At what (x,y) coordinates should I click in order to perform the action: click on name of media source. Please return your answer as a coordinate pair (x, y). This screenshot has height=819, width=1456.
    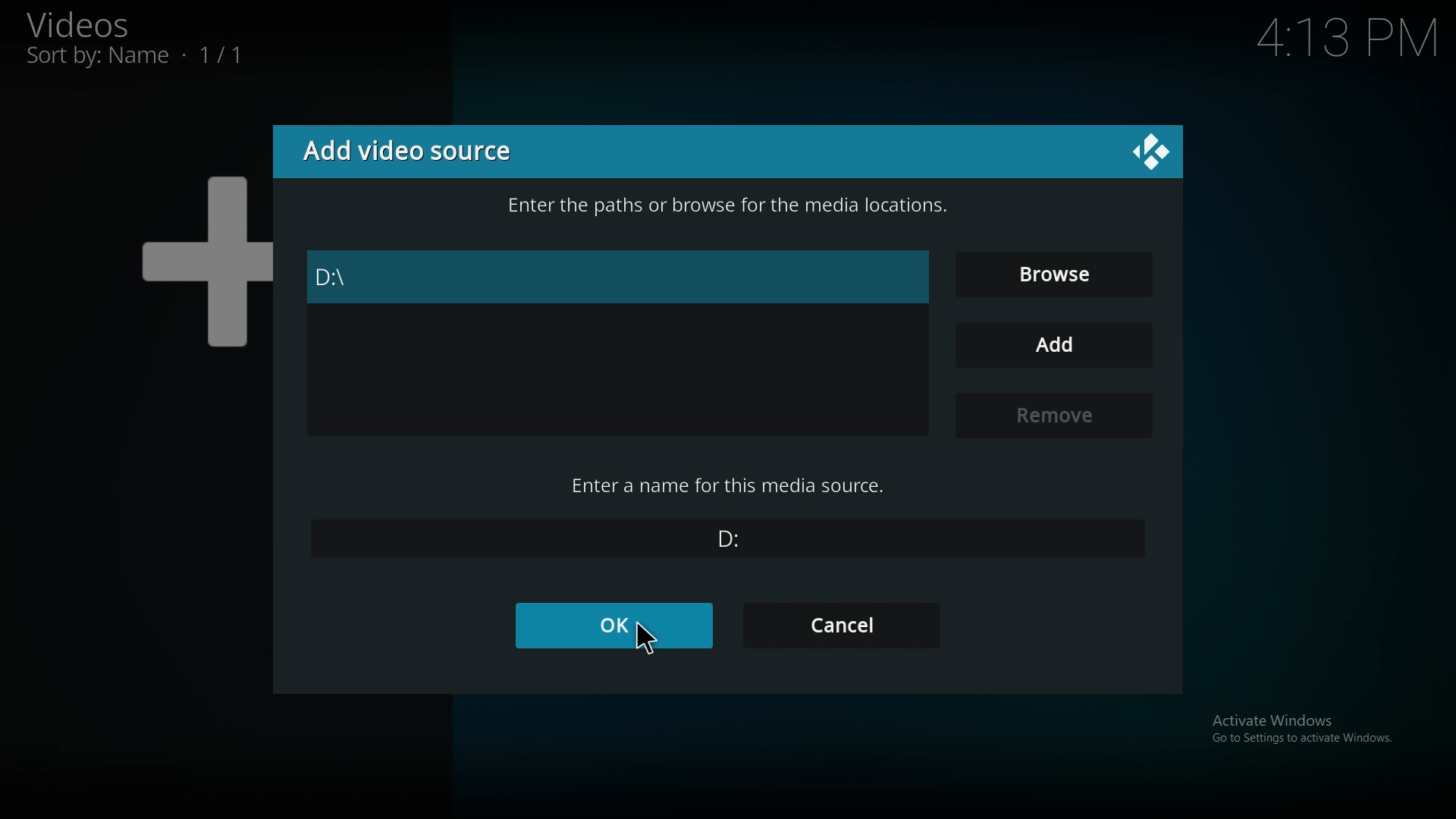
    Looking at the image, I should click on (736, 536).